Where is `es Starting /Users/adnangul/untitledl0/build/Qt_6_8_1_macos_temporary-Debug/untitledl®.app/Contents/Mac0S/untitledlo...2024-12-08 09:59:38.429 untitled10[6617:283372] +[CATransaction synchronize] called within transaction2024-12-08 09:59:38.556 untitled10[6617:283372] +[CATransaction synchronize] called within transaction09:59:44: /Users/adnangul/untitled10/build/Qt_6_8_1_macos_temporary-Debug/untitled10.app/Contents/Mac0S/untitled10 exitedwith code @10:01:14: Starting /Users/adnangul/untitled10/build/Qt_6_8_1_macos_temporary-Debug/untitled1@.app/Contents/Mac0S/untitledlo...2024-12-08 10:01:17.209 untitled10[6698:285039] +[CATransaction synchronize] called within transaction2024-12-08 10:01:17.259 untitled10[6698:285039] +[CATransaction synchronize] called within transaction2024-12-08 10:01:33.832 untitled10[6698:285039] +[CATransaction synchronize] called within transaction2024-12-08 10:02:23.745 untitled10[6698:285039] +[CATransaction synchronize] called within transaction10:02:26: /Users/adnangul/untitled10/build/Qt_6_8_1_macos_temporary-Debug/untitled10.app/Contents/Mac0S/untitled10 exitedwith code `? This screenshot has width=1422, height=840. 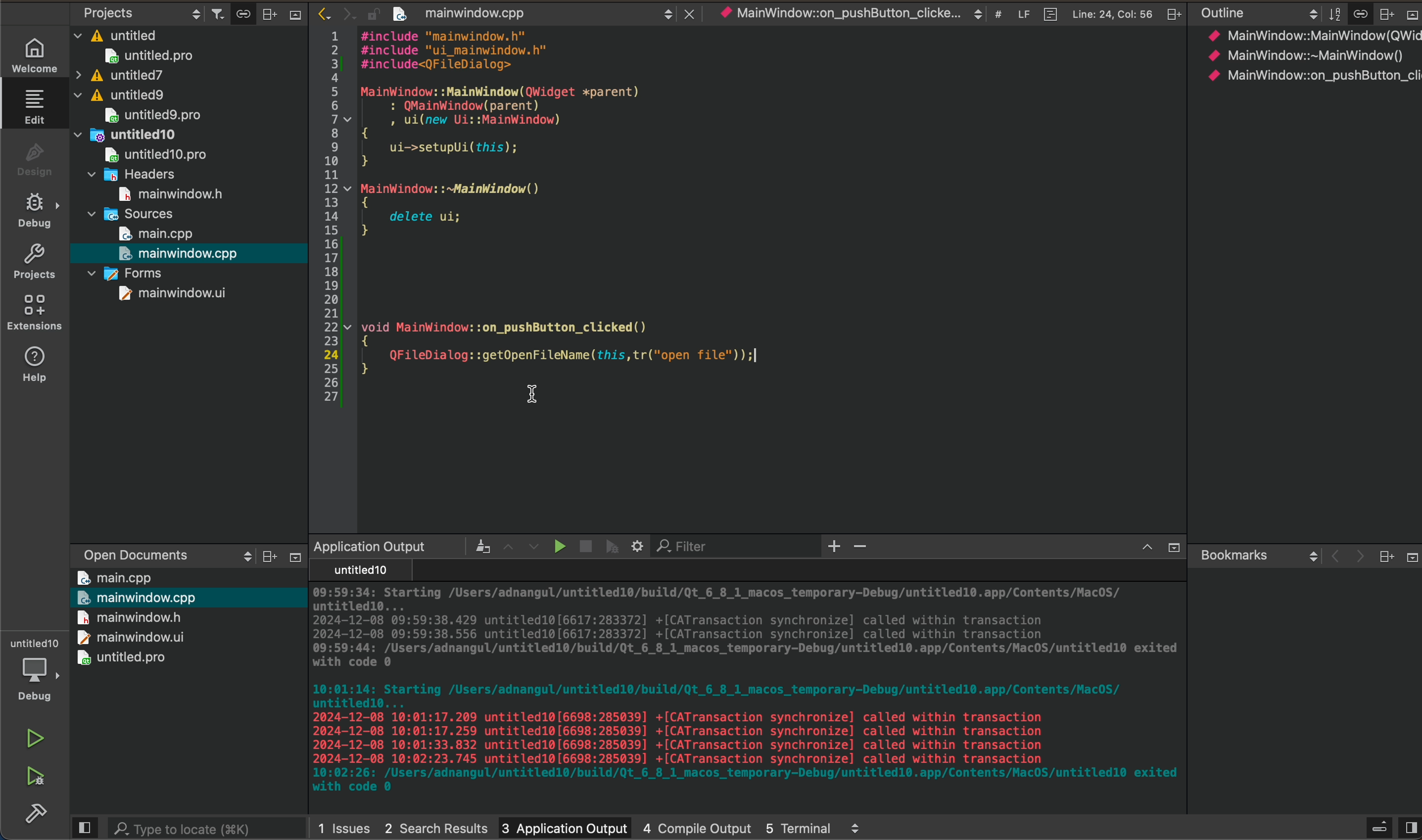
es Starting /Users/adnangul/untitledl0/build/Qt_6_8_1_macos_temporary-Debug/untitledl®.app/Contents/Mac0S/untitledlo...2024-12-08 09:59:38.429 untitled10[6617:283372] +[CATransaction synchronize] called within transaction2024-12-08 09:59:38.556 untitled10[6617:283372] +[CATransaction synchronize] called within transaction09:59:44: /Users/adnangul/untitled10/build/Qt_6_8_1_macos_temporary-Debug/untitled10.app/Contents/Mac0S/untitled10 exitedwith code @10:01:14: Starting /Users/adnangul/untitled10/build/Qt_6_8_1_macos_temporary-Debug/untitled1@.app/Contents/Mac0S/untitledlo...2024-12-08 10:01:17.209 untitled10[6698:285039] +[CATransaction synchronize] called within transaction2024-12-08 10:01:17.259 untitled10[6698:285039] +[CATransaction synchronize] called within transaction2024-12-08 10:01:33.832 untitled10[6698:285039] +[CATransaction synchronize] called within transaction2024-12-08 10:02:23.745 untitled10[6698:285039] +[CATransaction synchronize] called within transaction10:02:26: /Users/adnangul/untitled10/build/Qt_6_8_1_macos_temporary-Debug/untitled10.app/Contents/Mac0S/untitled10 exitedwith code  is located at coordinates (740, 693).